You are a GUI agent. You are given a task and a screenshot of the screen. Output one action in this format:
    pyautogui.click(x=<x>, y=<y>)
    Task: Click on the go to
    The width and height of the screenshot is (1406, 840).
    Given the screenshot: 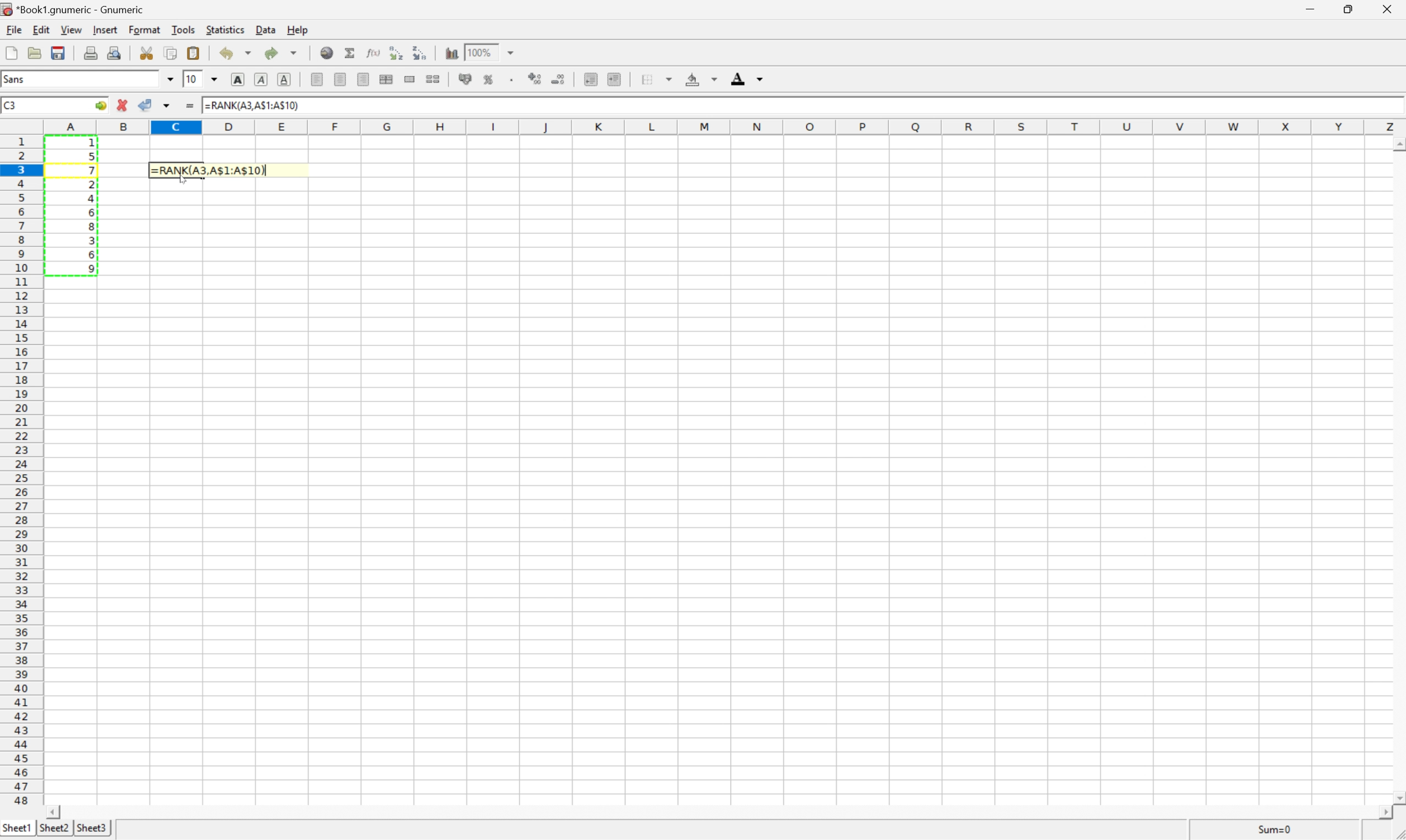 What is the action you would take?
    pyautogui.click(x=101, y=105)
    